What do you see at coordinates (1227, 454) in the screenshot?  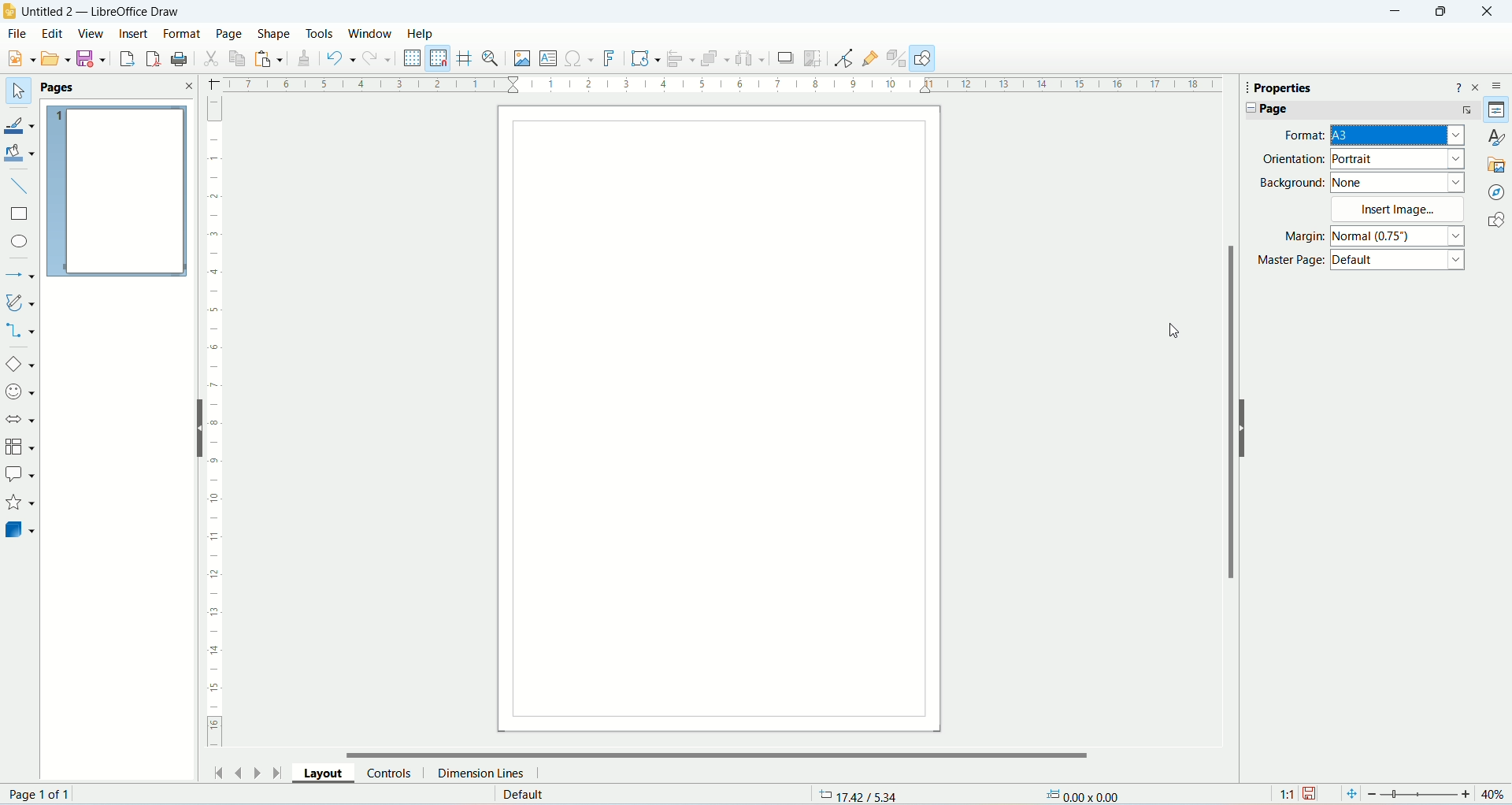 I see `vertical scroll bar` at bounding box center [1227, 454].